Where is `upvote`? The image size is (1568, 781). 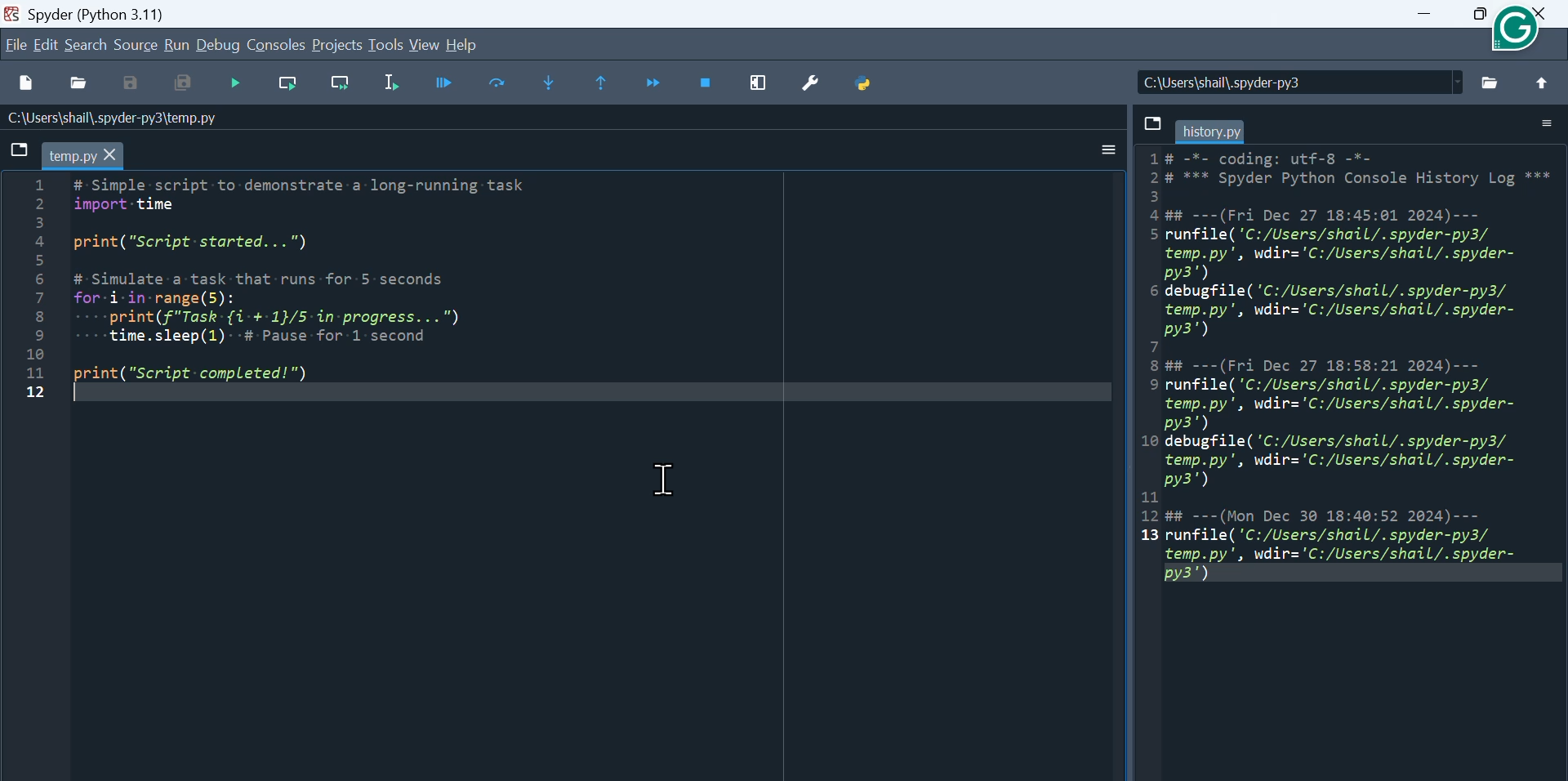 upvote is located at coordinates (1541, 83).